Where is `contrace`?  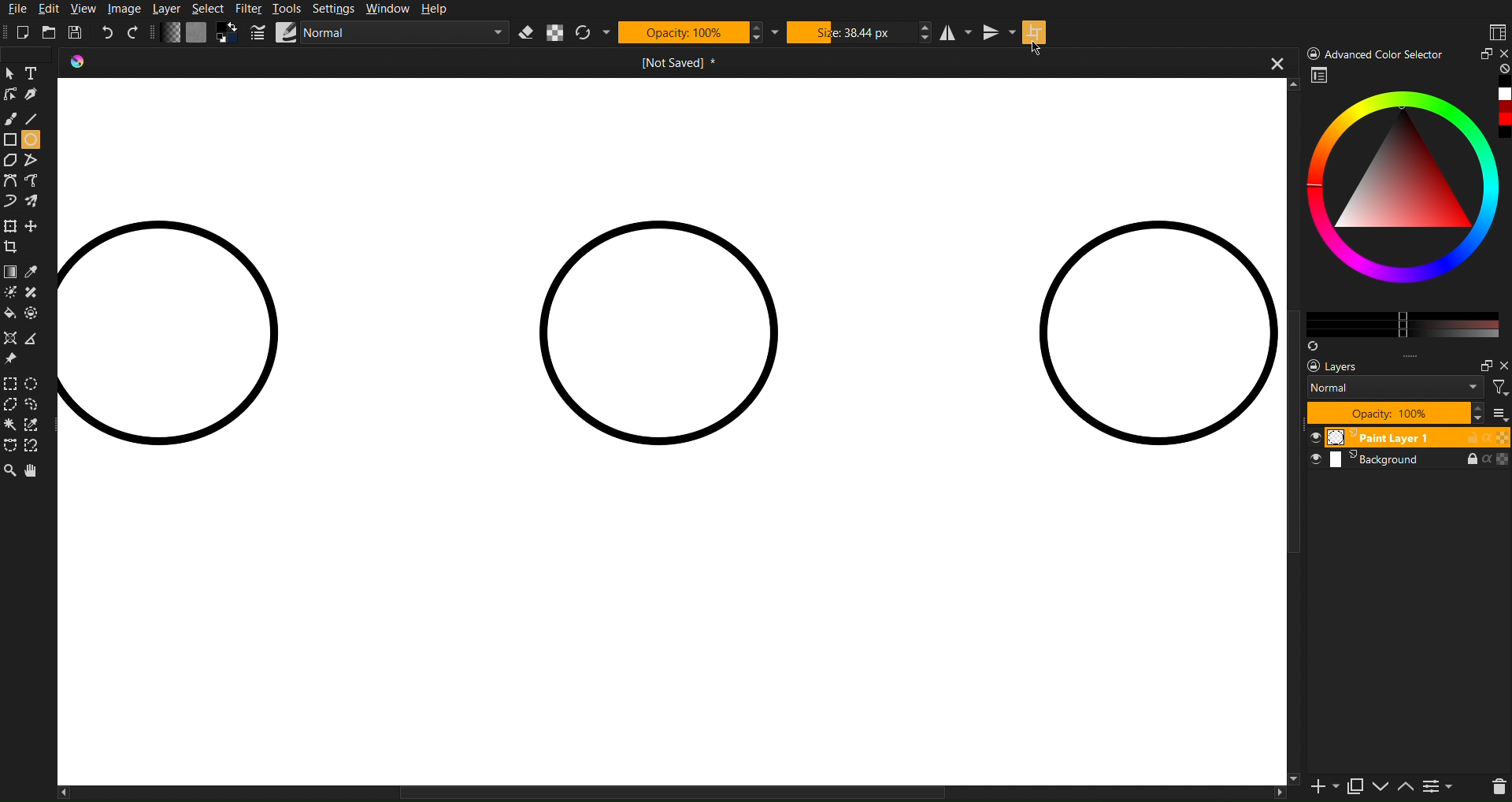 contrace is located at coordinates (1443, 786).